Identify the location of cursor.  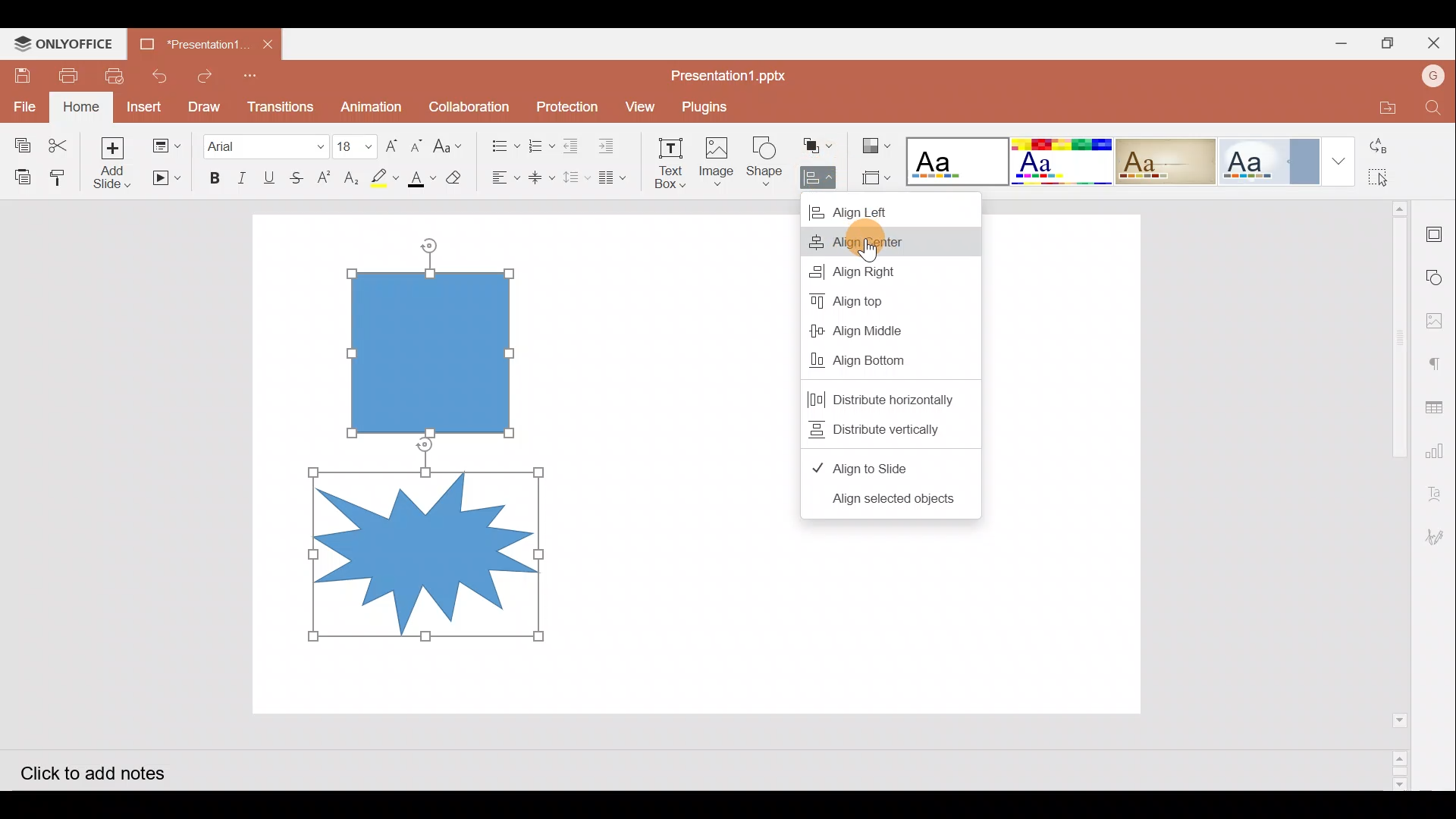
(870, 253).